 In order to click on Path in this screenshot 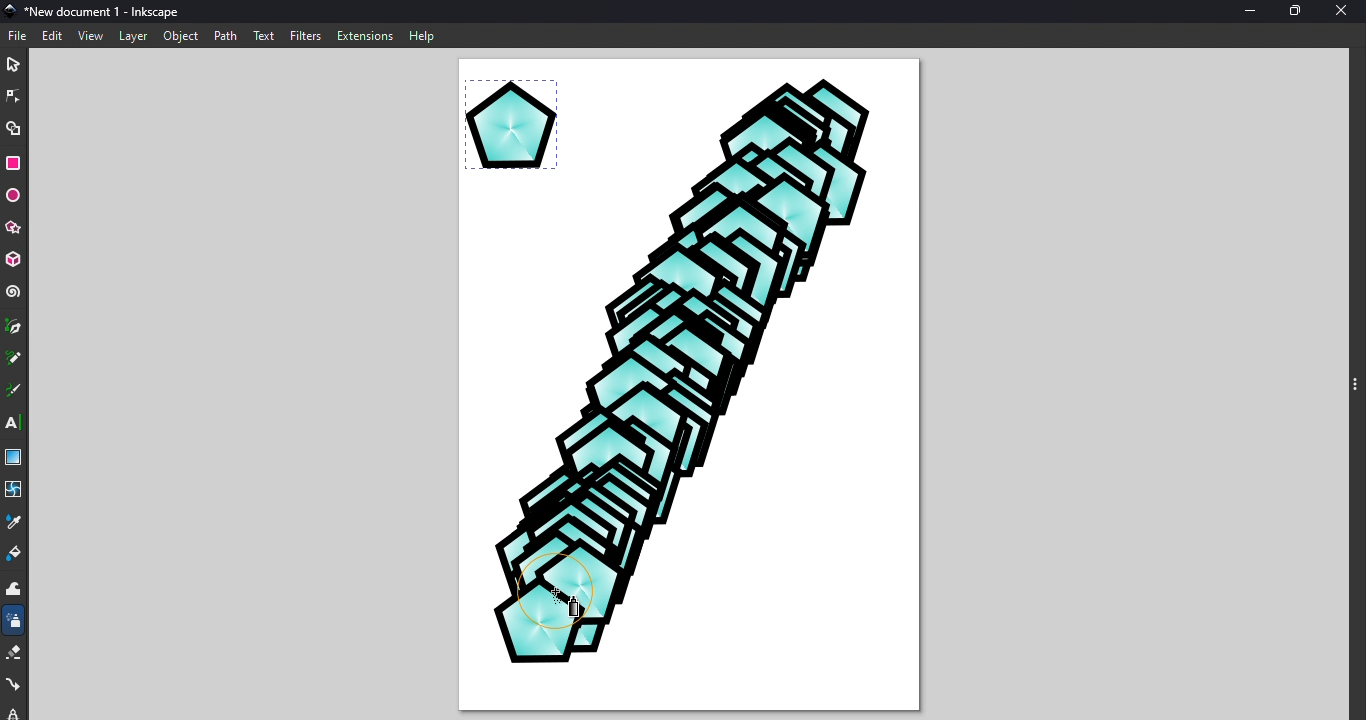, I will do `click(226, 35)`.